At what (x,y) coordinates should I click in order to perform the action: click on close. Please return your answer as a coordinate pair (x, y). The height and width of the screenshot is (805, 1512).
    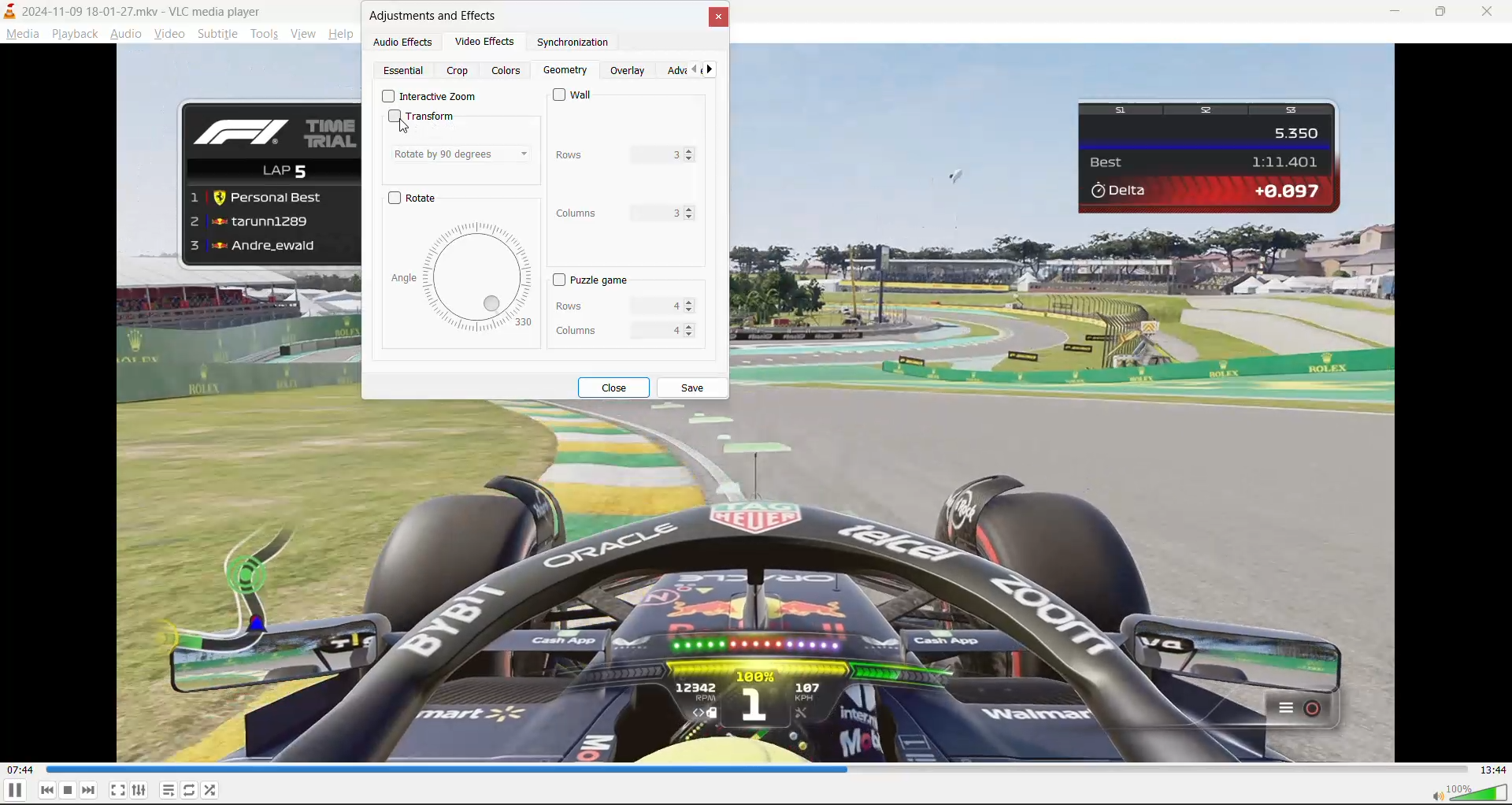
    Looking at the image, I should click on (617, 388).